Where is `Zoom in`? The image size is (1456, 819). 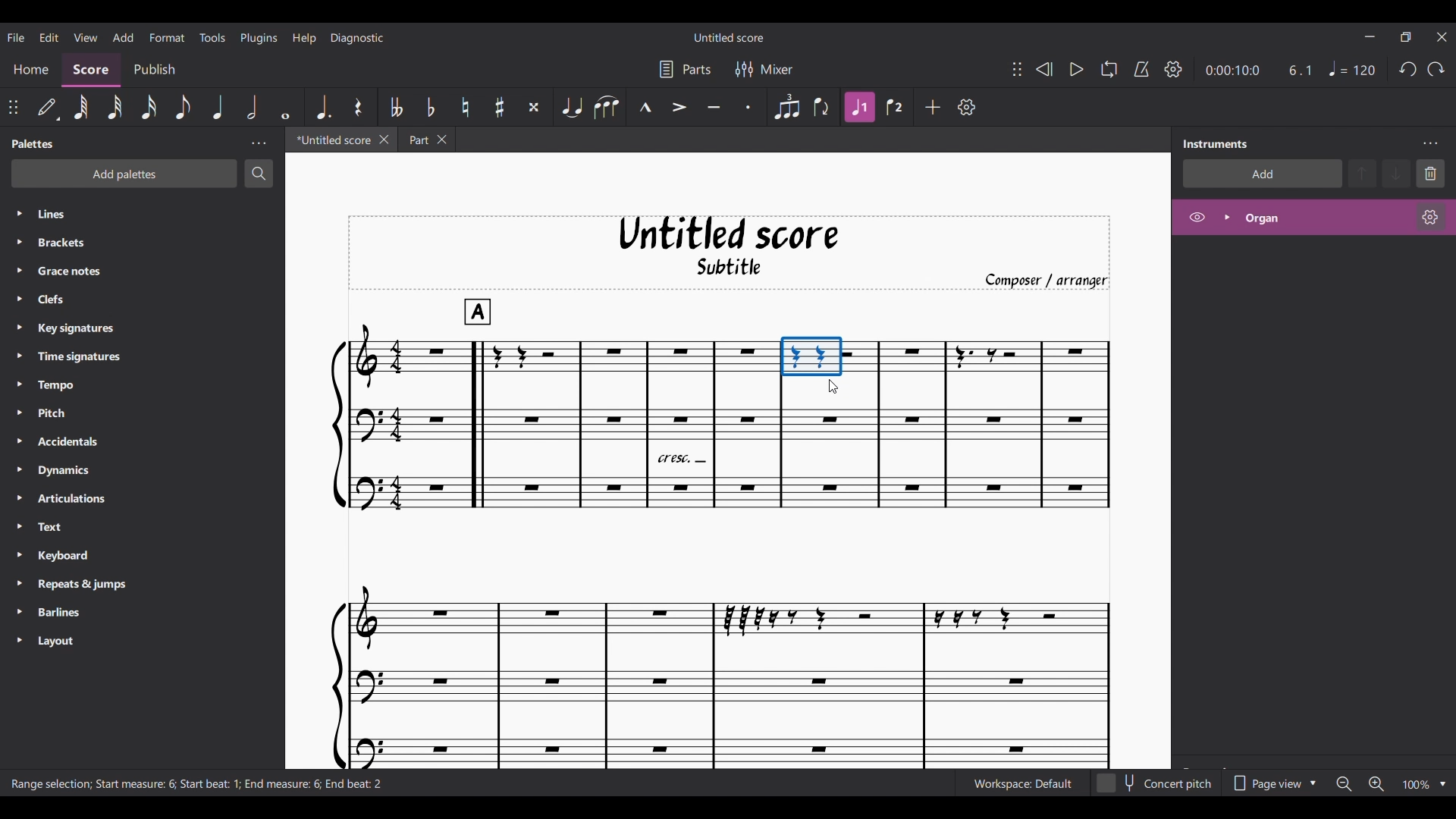 Zoom in is located at coordinates (1376, 783).